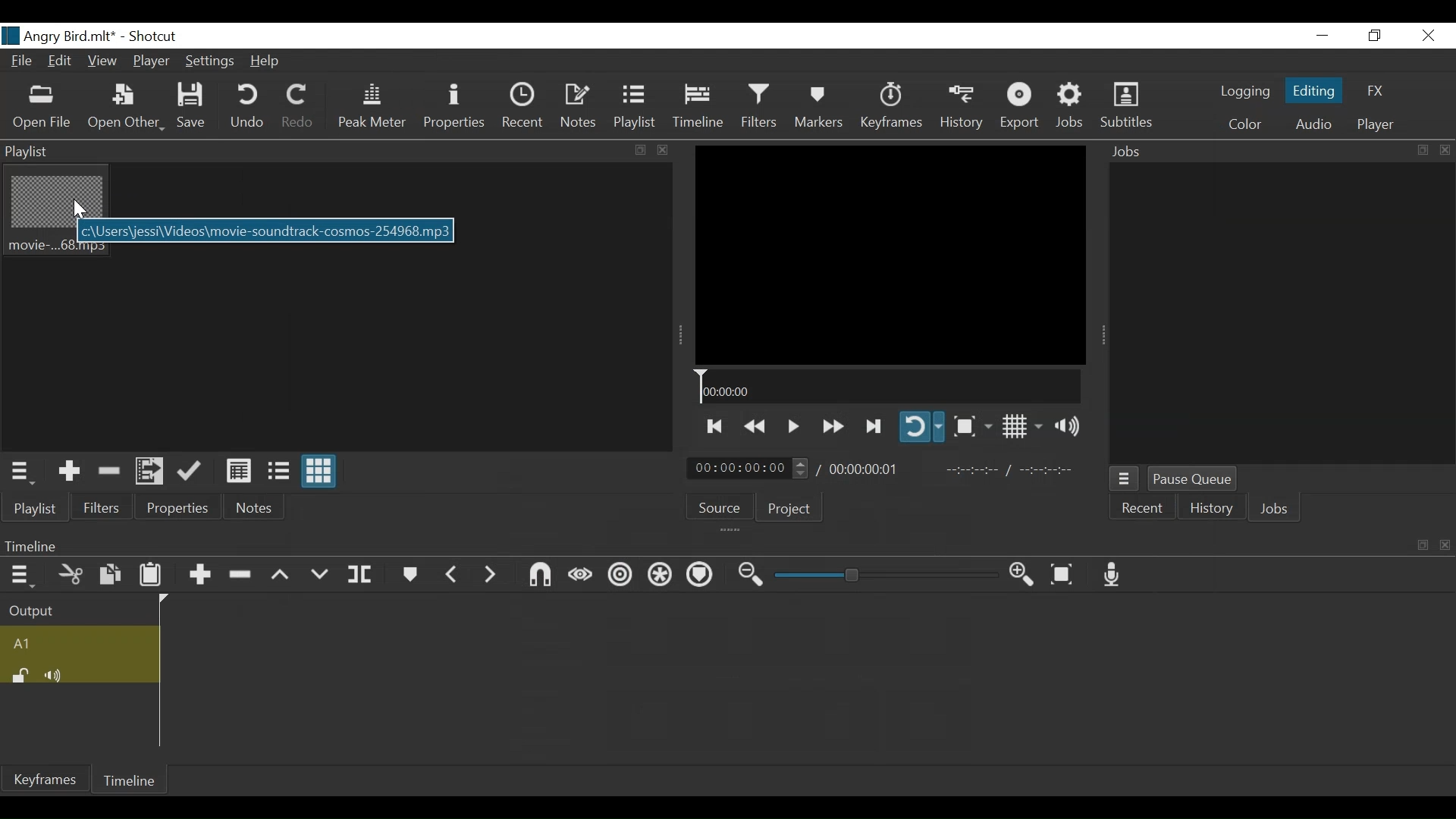 This screenshot has width=1456, height=819. I want to click on Snap, so click(541, 575).